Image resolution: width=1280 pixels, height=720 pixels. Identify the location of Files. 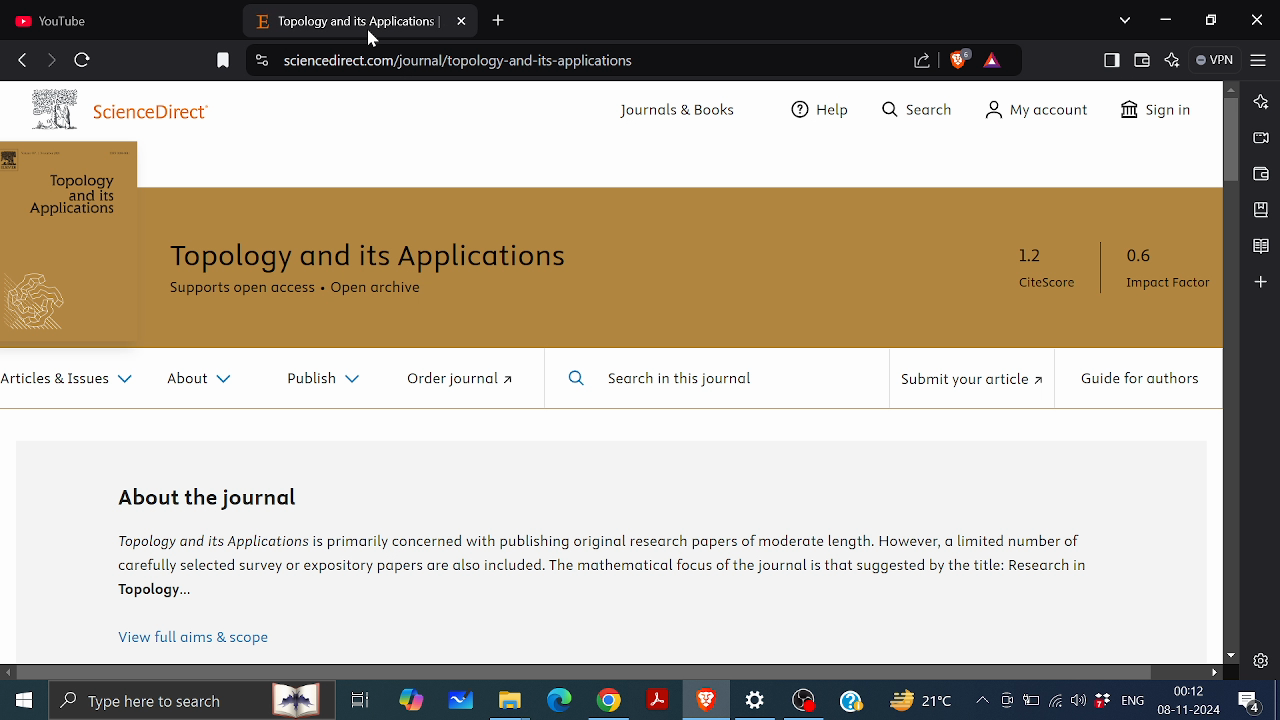
(510, 702).